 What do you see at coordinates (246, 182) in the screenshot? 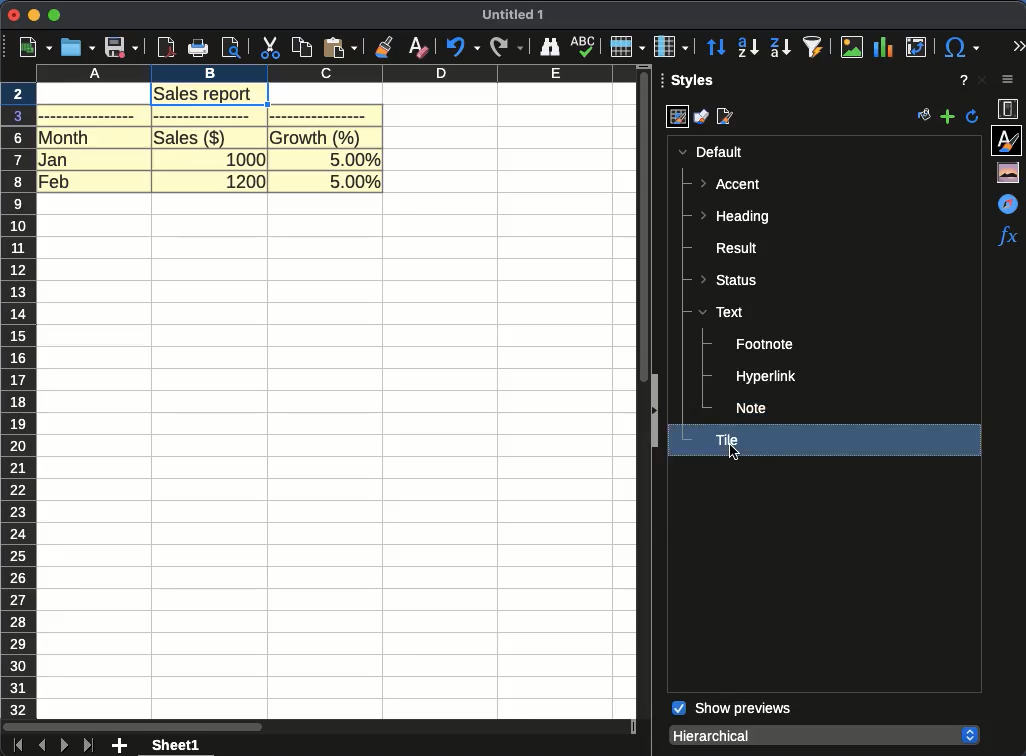
I see `1200` at bounding box center [246, 182].